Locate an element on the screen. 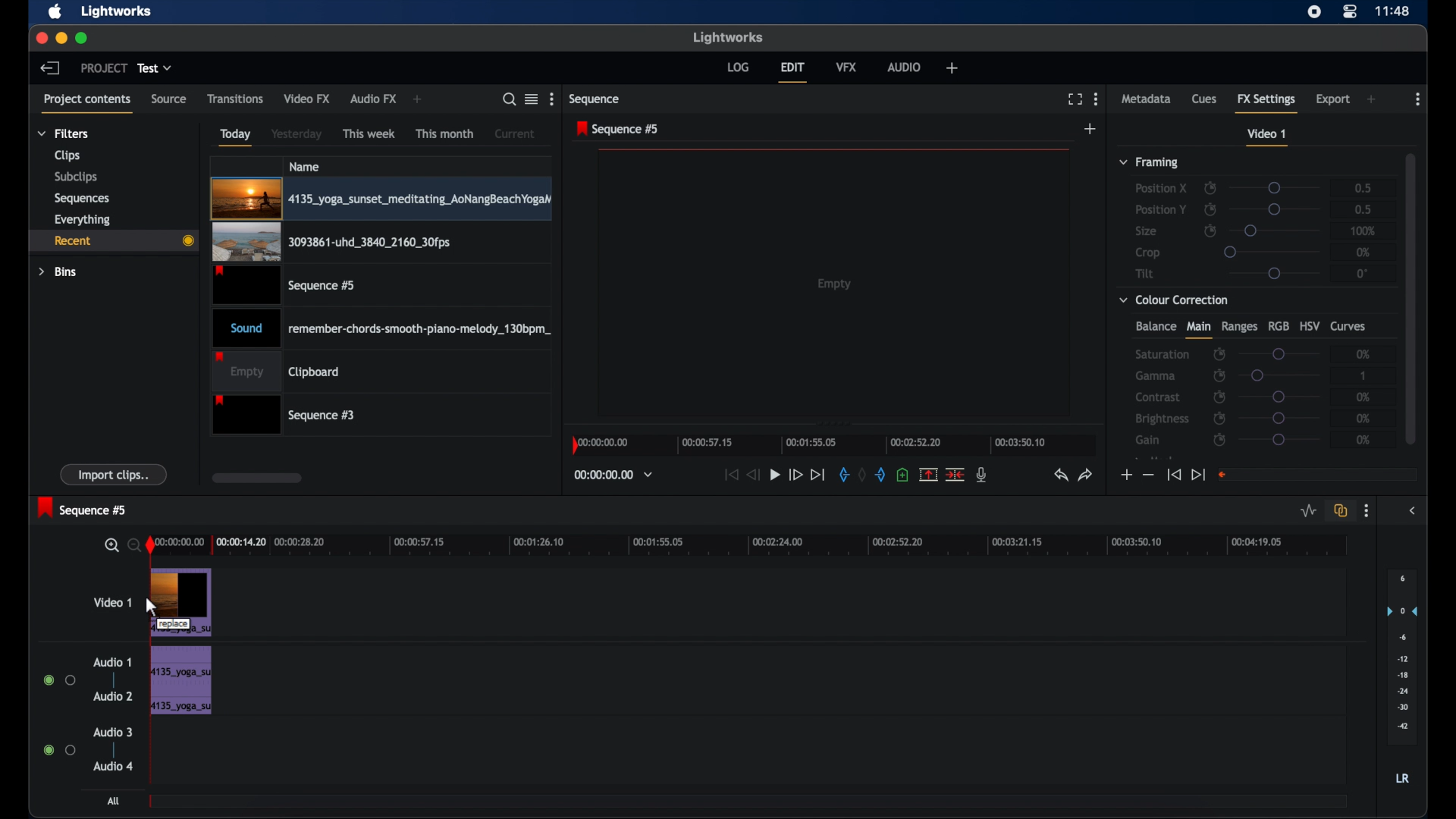 Image resolution: width=1456 pixels, height=819 pixels. more options is located at coordinates (1367, 511).